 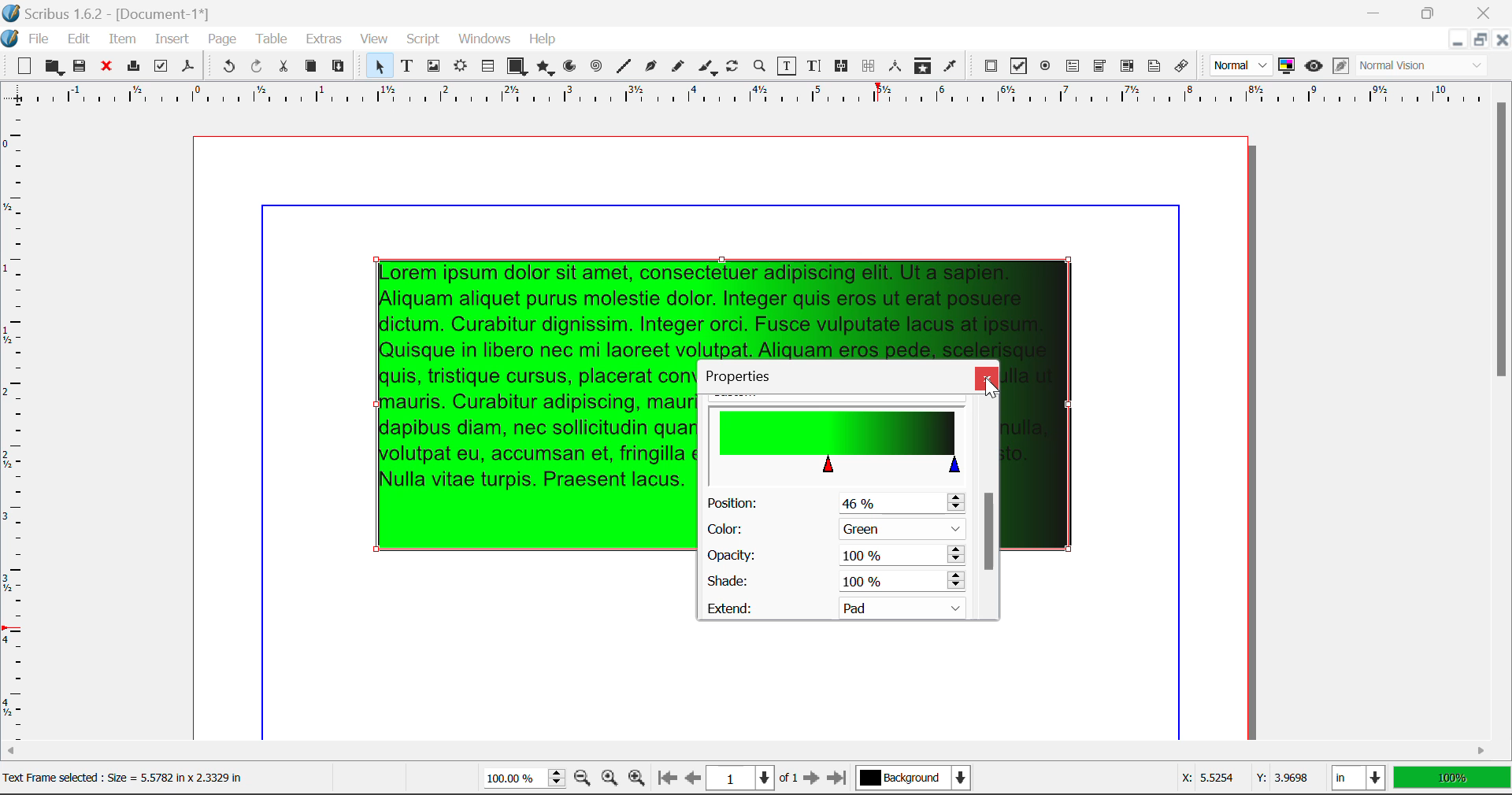 What do you see at coordinates (833, 582) in the screenshot?
I see `Shade` at bounding box center [833, 582].